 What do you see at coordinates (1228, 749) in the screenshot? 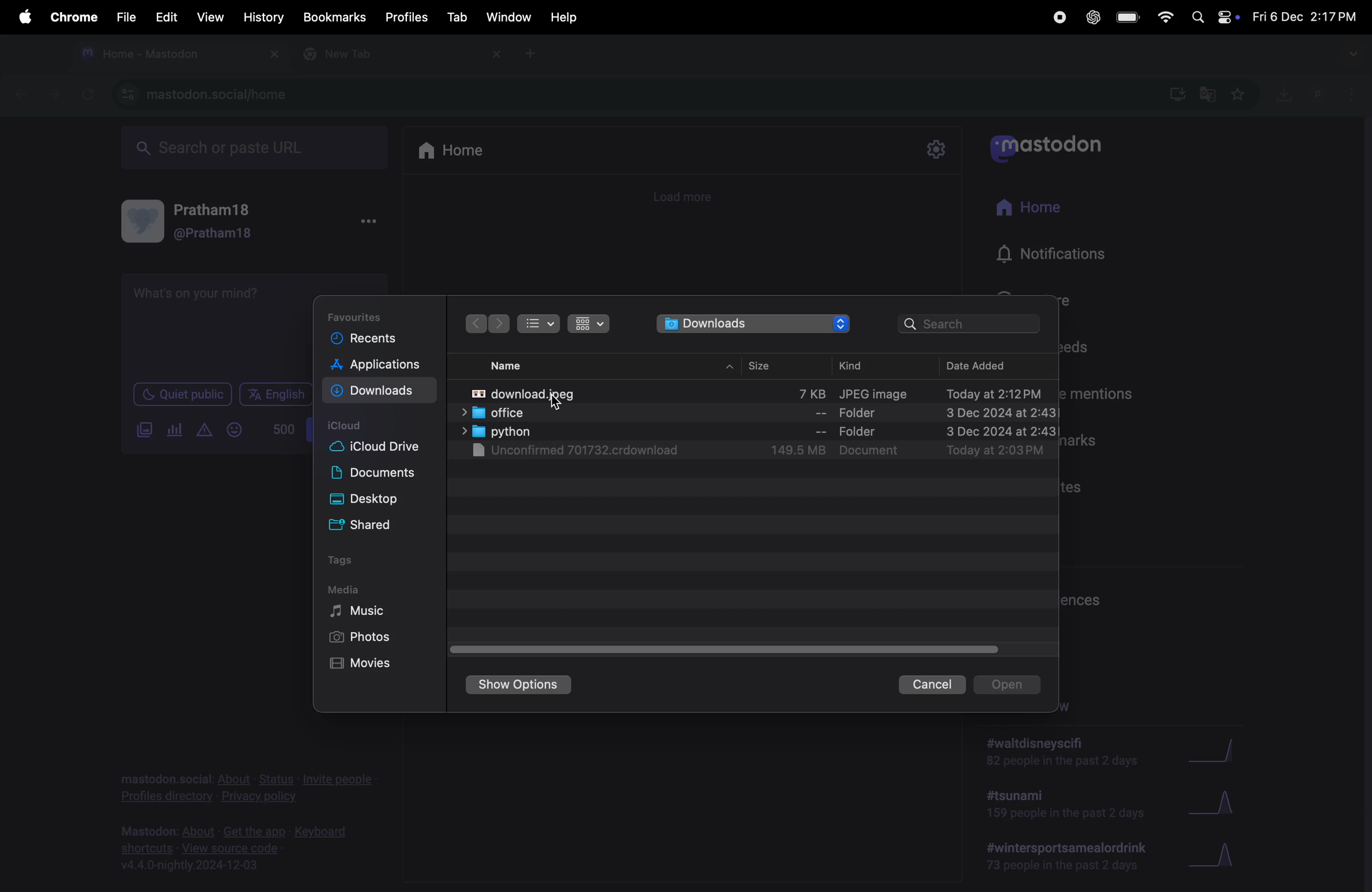
I see `Graph` at bounding box center [1228, 749].